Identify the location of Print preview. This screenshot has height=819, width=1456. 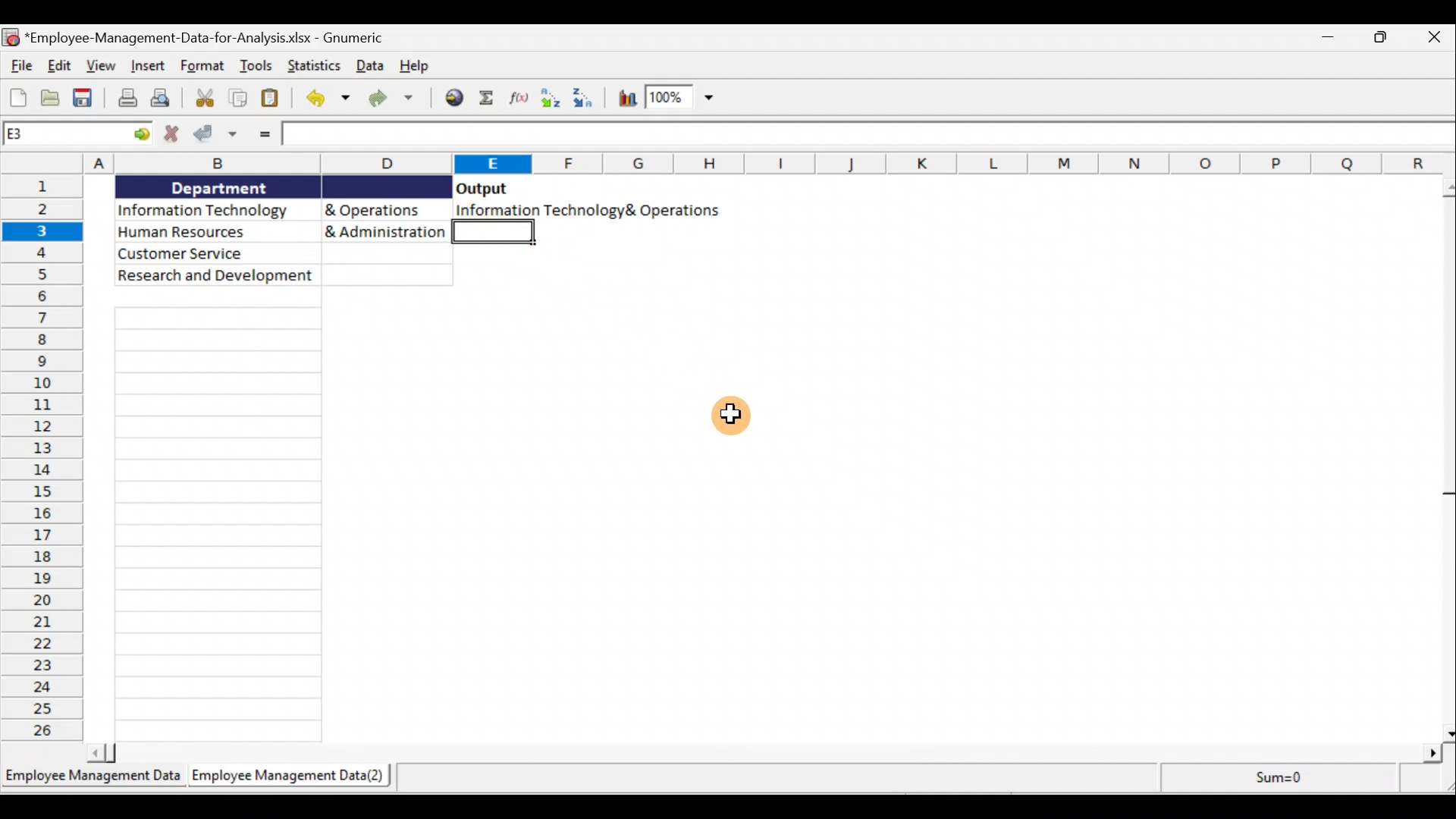
(168, 97).